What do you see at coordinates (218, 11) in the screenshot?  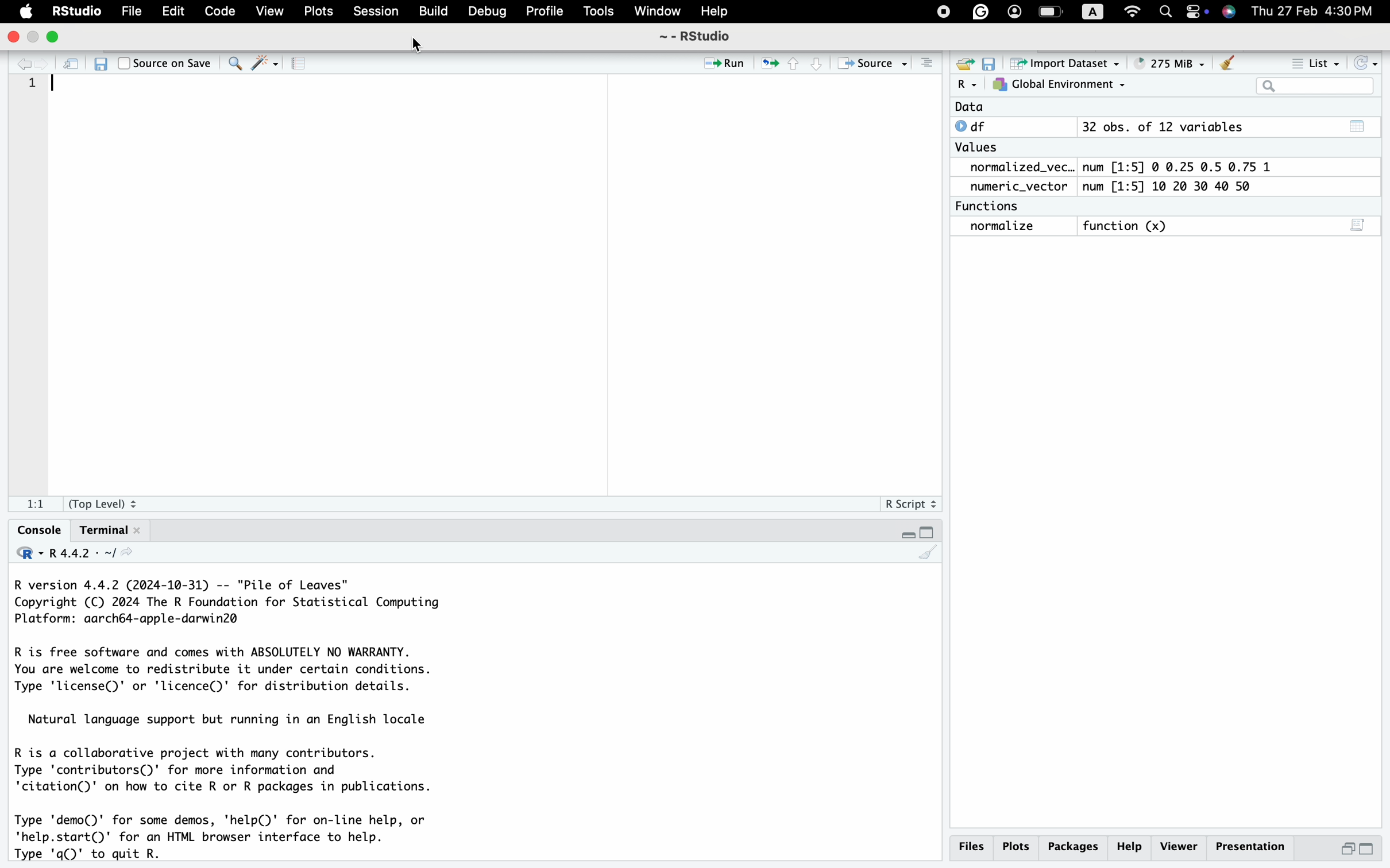 I see `code` at bounding box center [218, 11].